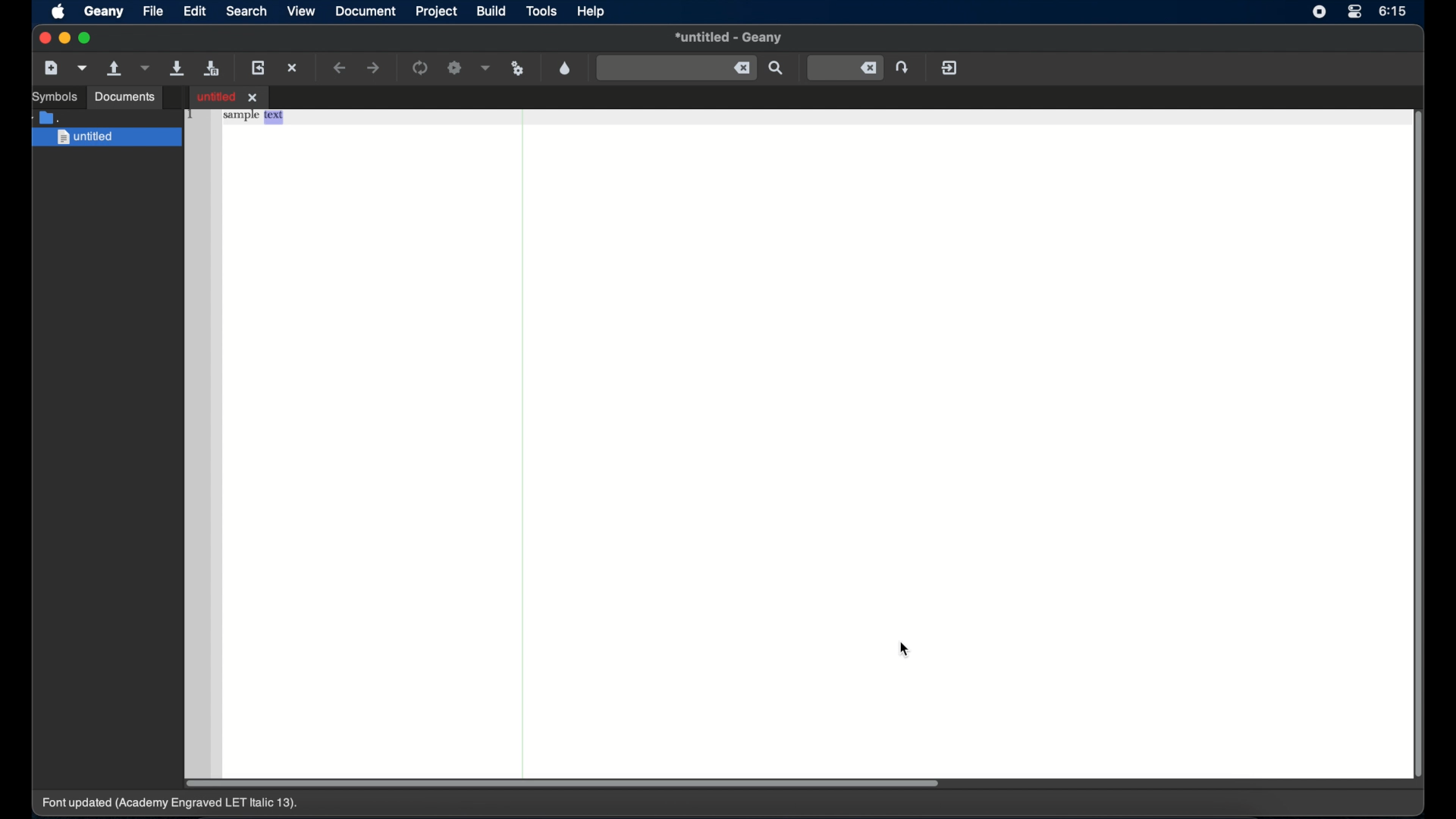  I want to click on file, so click(153, 11).